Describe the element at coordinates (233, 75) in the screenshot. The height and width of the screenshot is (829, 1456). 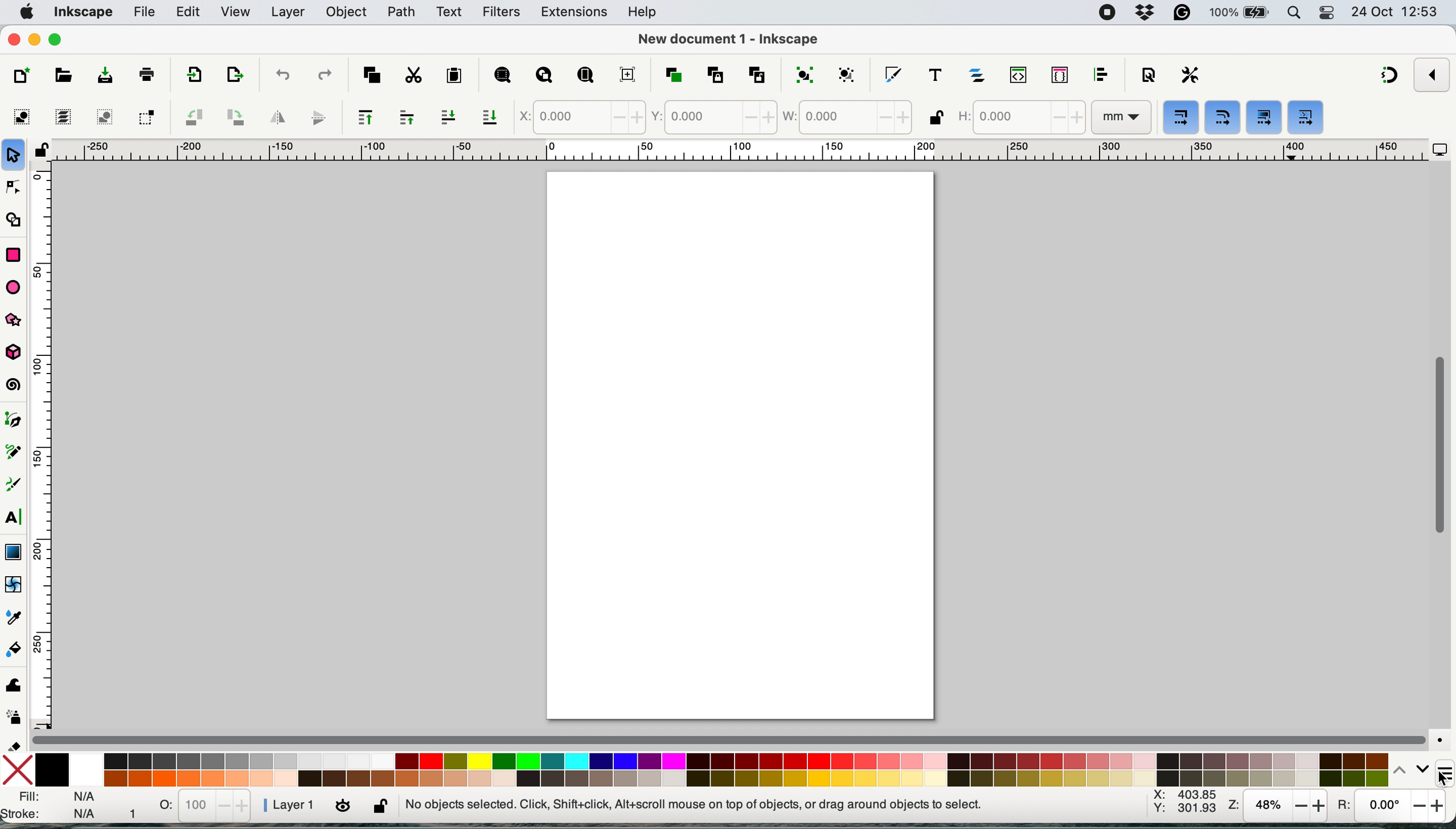
I see `open export` at that location.